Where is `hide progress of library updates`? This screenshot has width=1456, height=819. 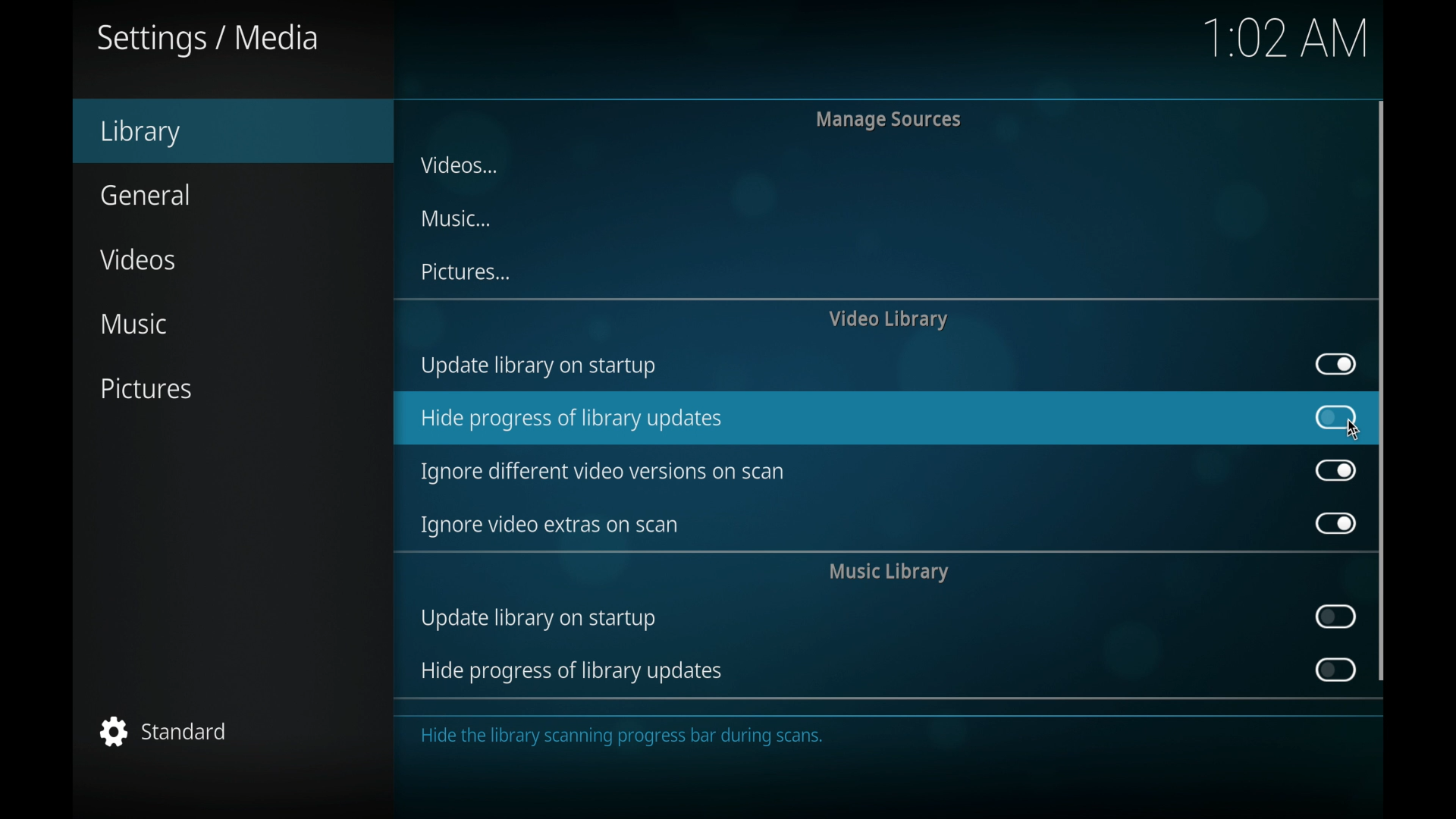 hide progress of library updates is located at coordinates (570, 419).